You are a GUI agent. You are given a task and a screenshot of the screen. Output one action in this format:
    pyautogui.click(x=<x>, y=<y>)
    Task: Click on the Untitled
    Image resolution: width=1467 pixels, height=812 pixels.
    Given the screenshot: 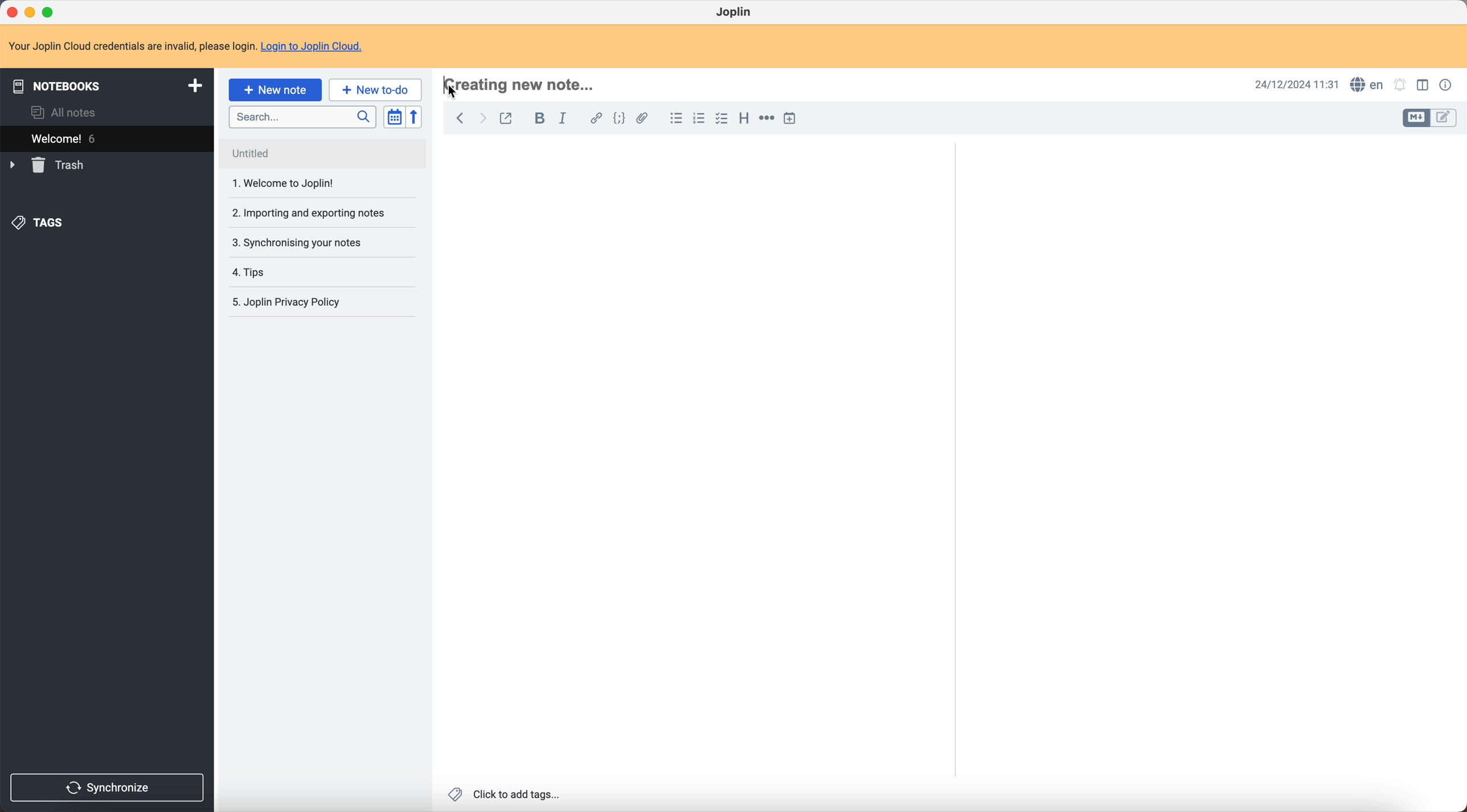 What is the action you would take?
    pyautogui.click(x=292, y=155)
    